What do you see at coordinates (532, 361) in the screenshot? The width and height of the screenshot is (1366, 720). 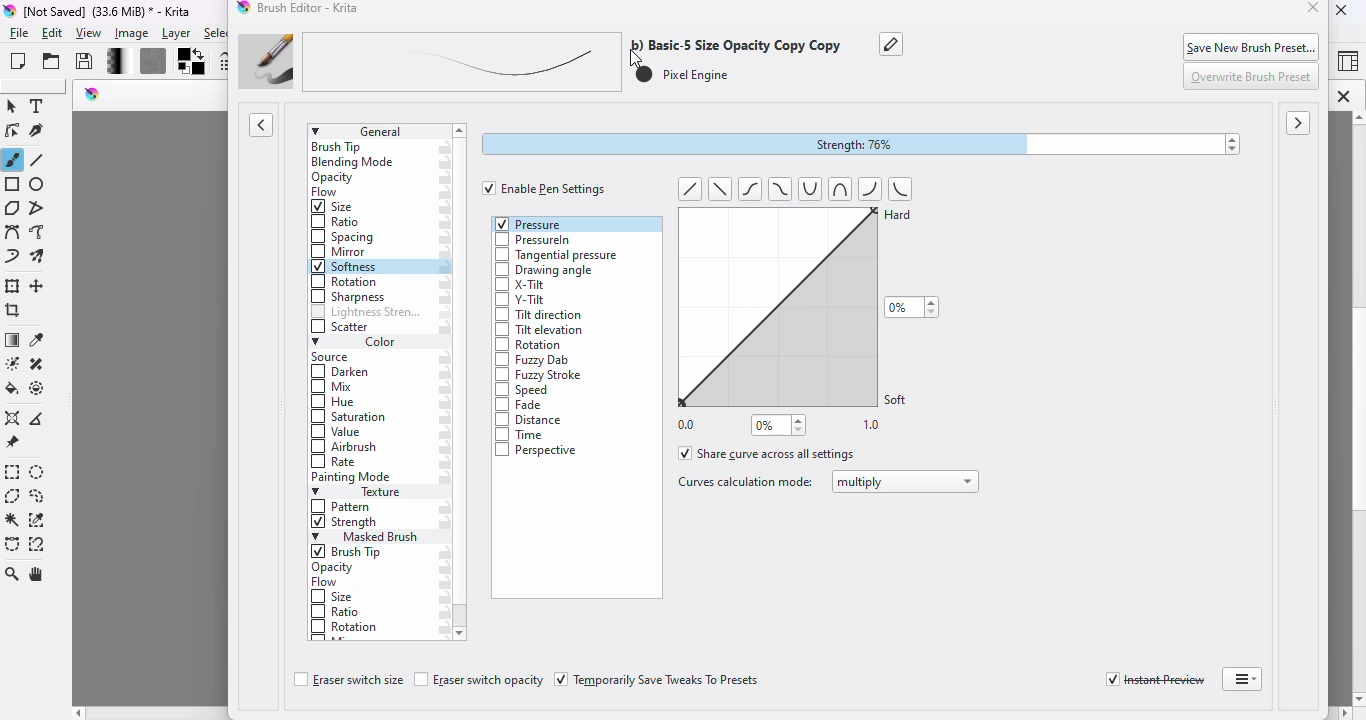 I see `fuzzy dab` at bounding box center [532, 361].